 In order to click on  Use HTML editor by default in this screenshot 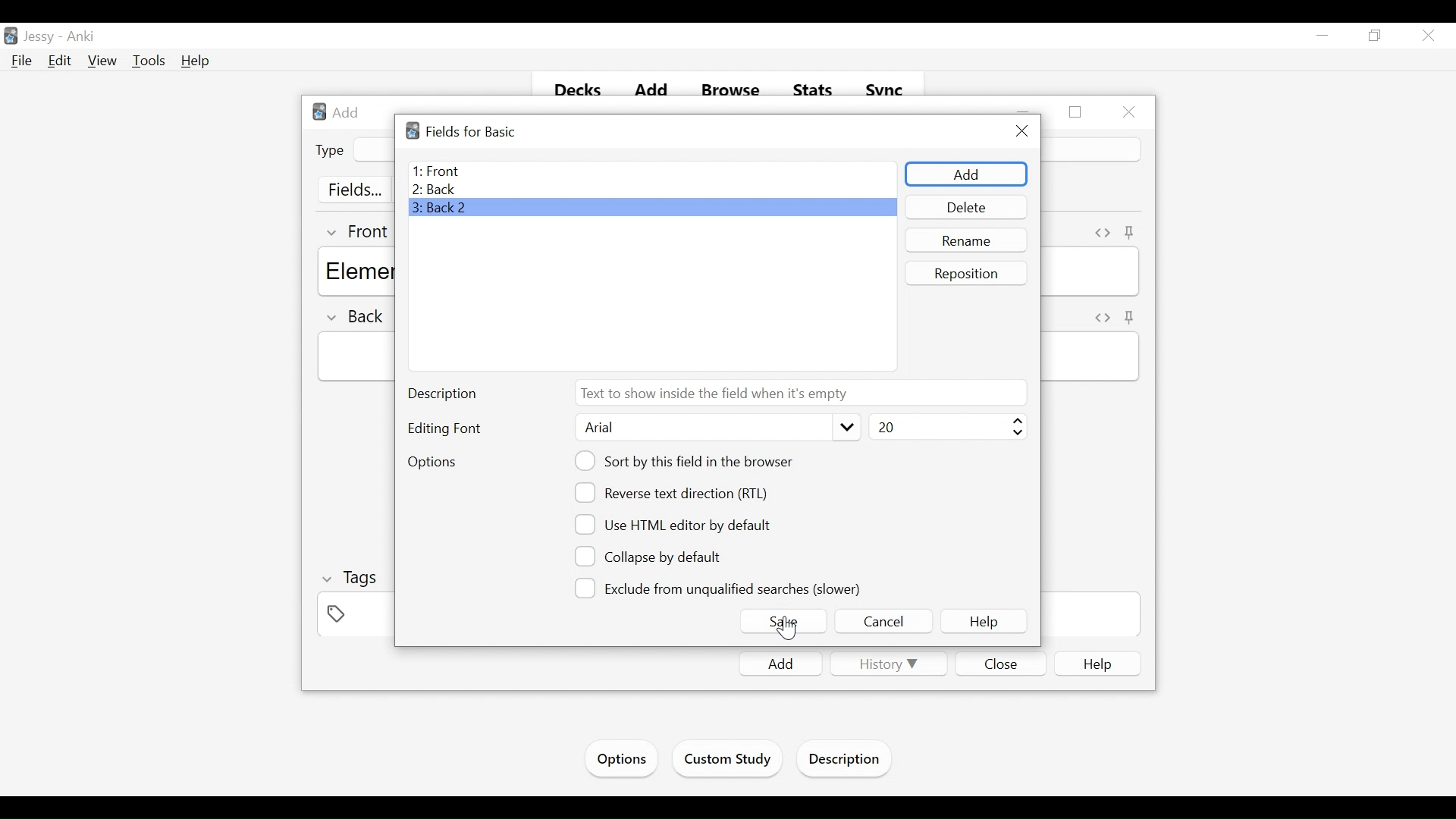, I will do `click(674, 525)`.